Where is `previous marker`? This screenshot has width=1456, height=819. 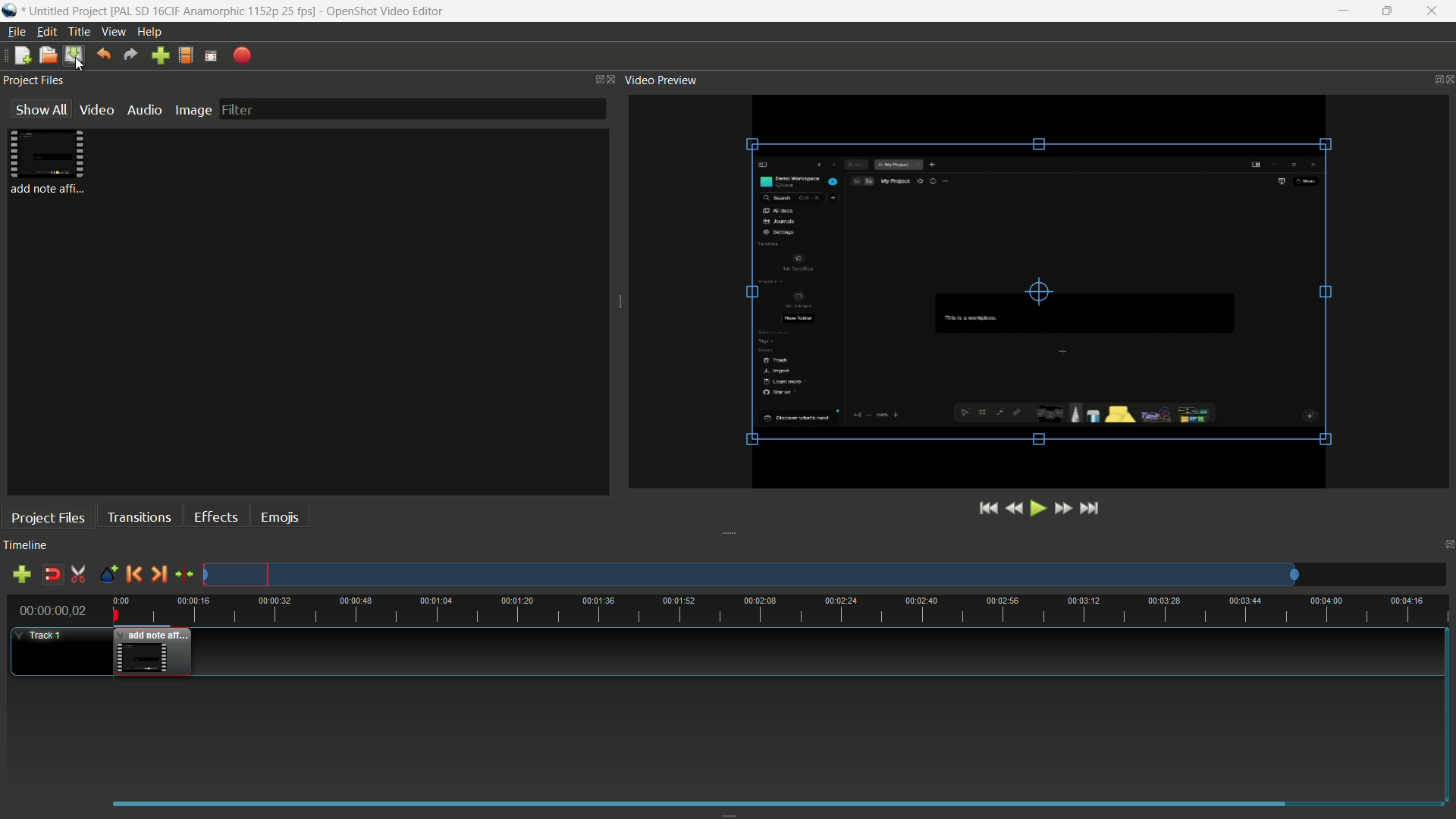
previous marker is located at coordinates (131, 576).